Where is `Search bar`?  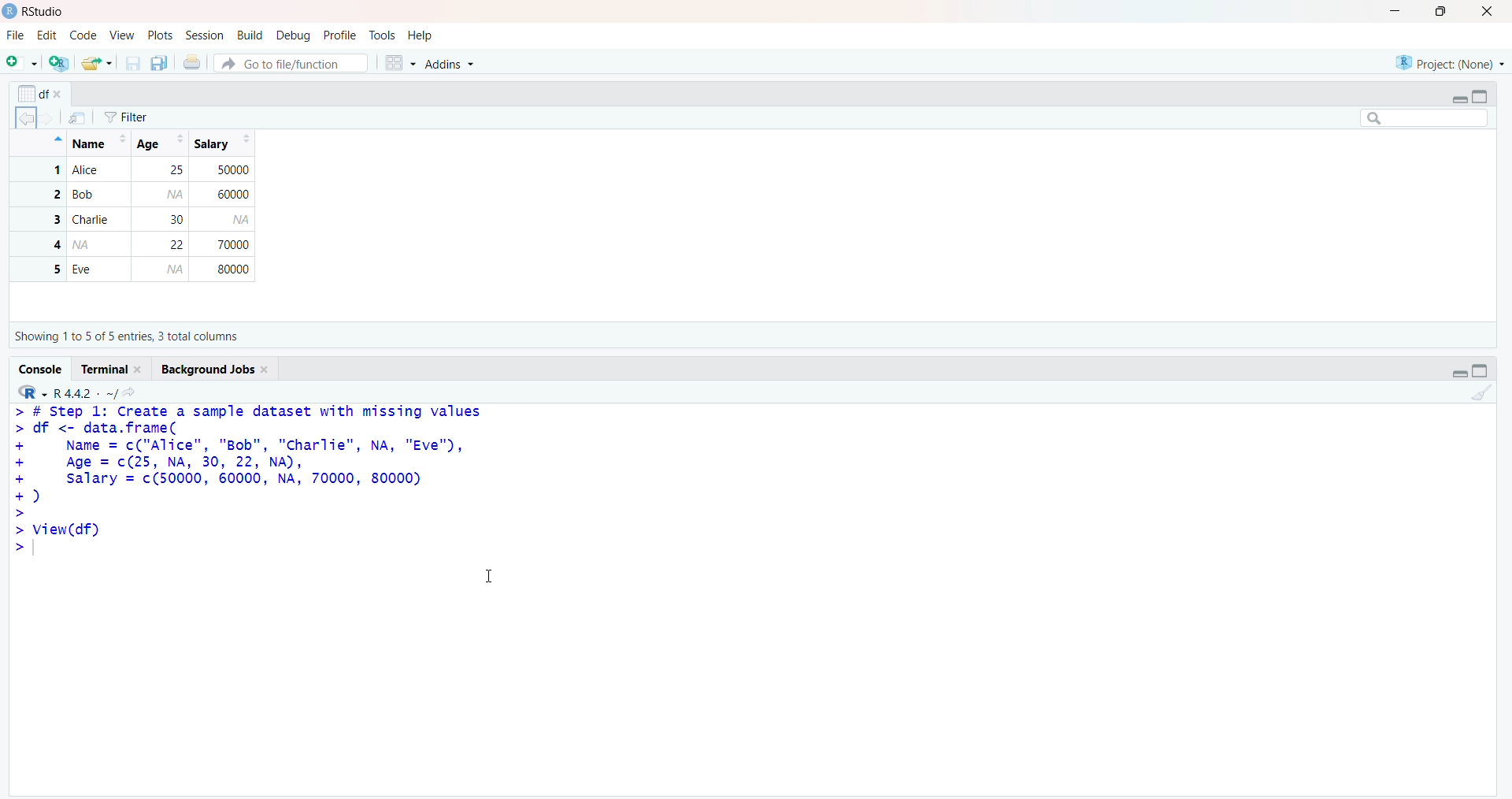
Search bar is located at coordinates (1425, 119).